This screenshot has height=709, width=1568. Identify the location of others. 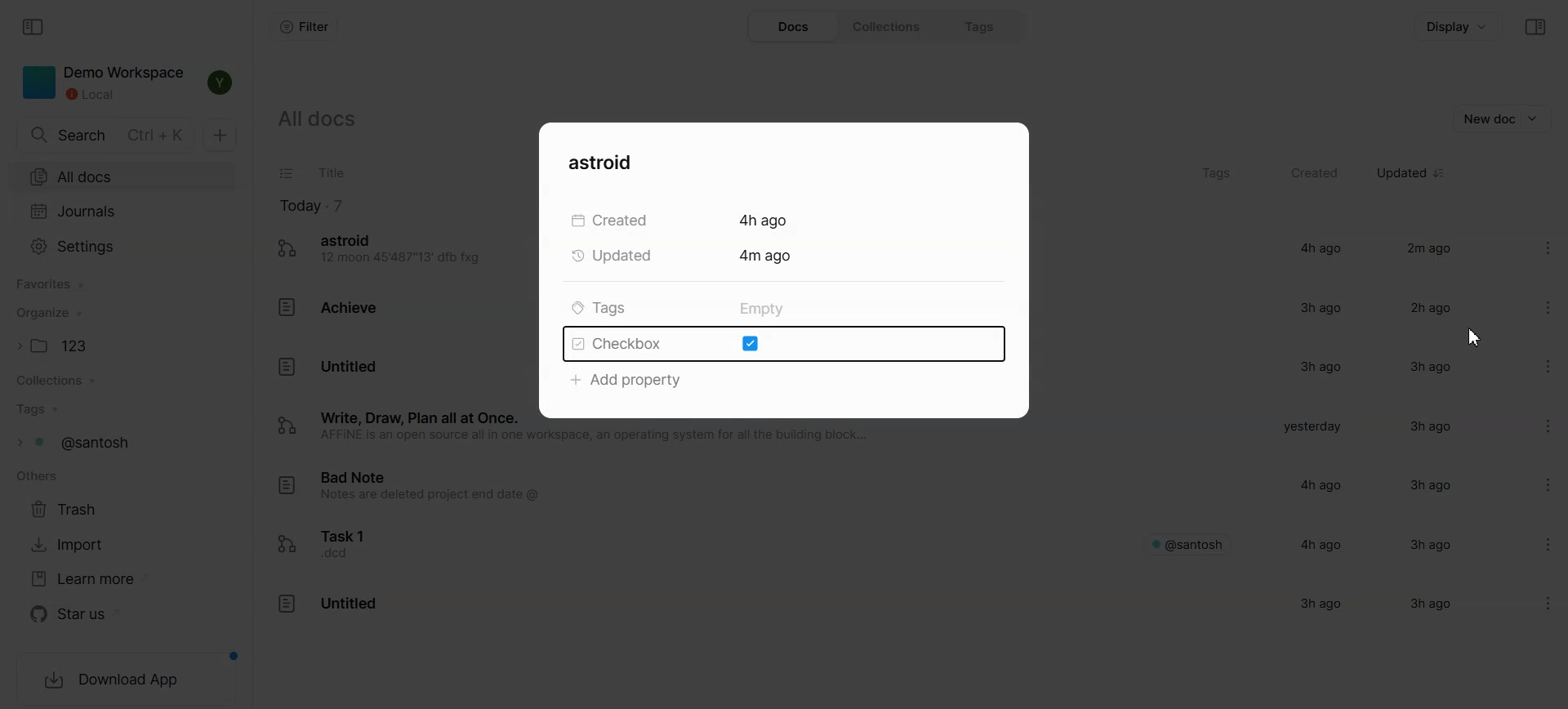
(36, 478).